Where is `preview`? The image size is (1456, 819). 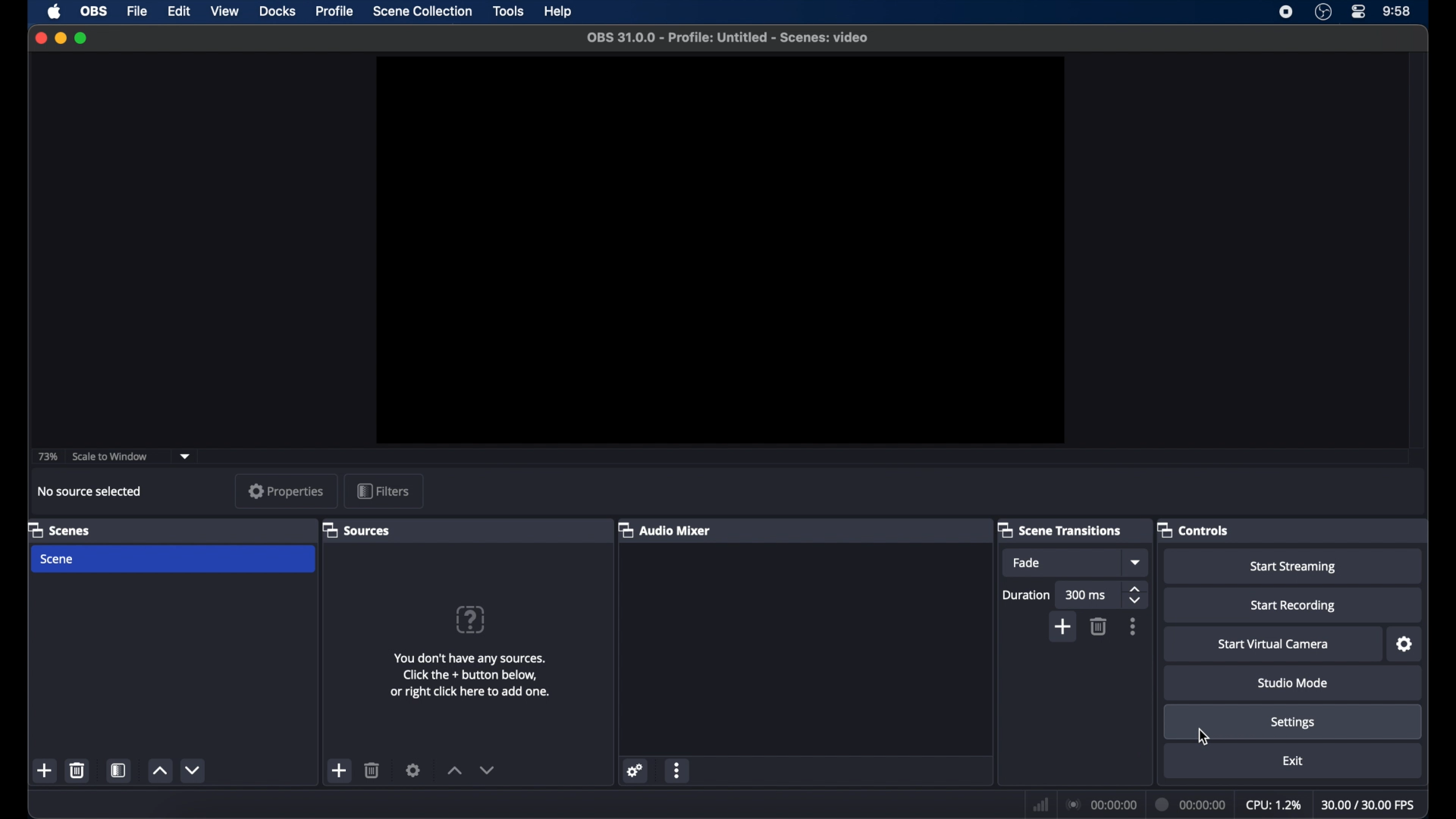
preview is located at coordinates (720, 250).